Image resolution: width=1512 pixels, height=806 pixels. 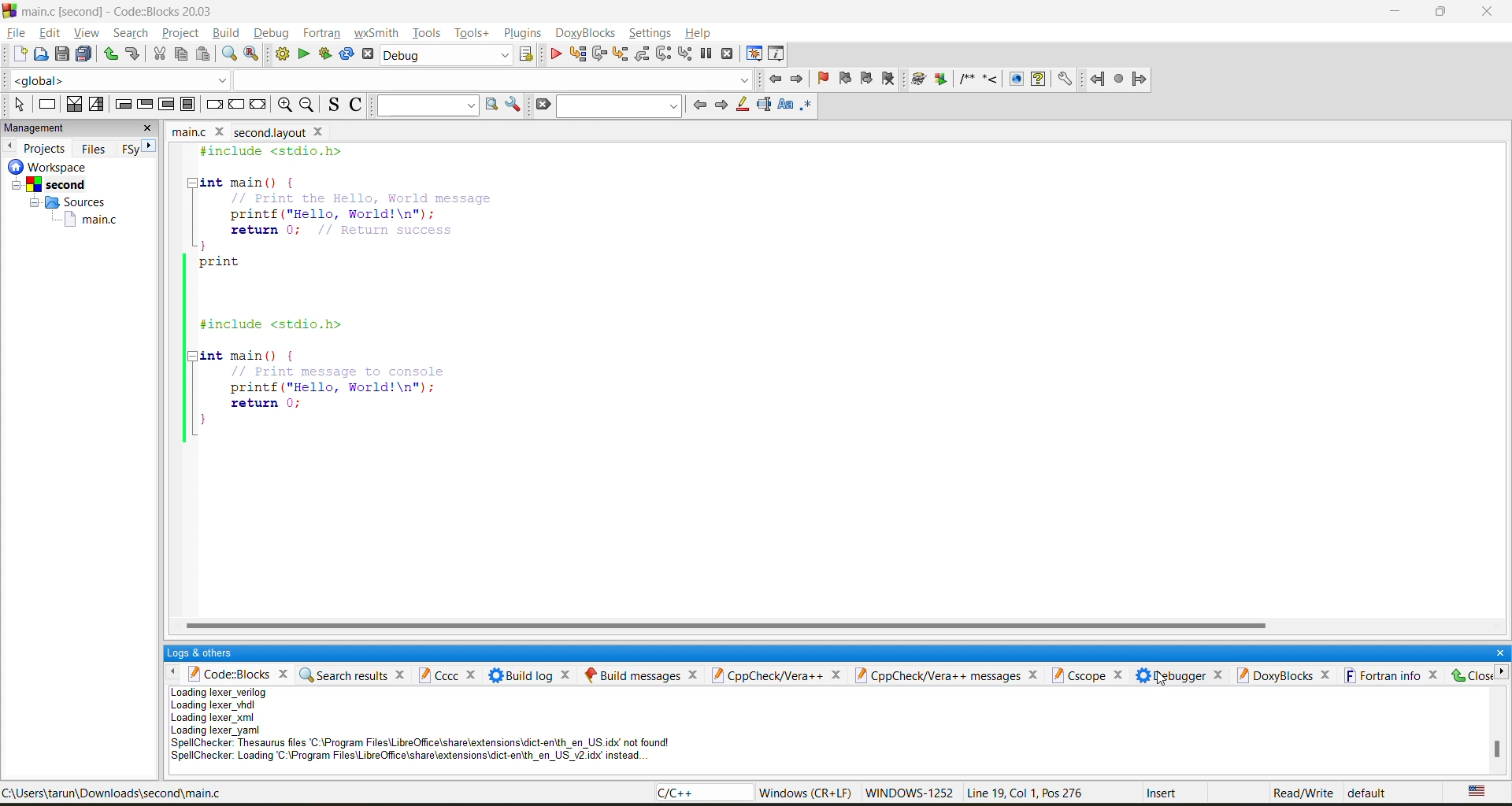 I want to click on files, so click(x=93, y=150).